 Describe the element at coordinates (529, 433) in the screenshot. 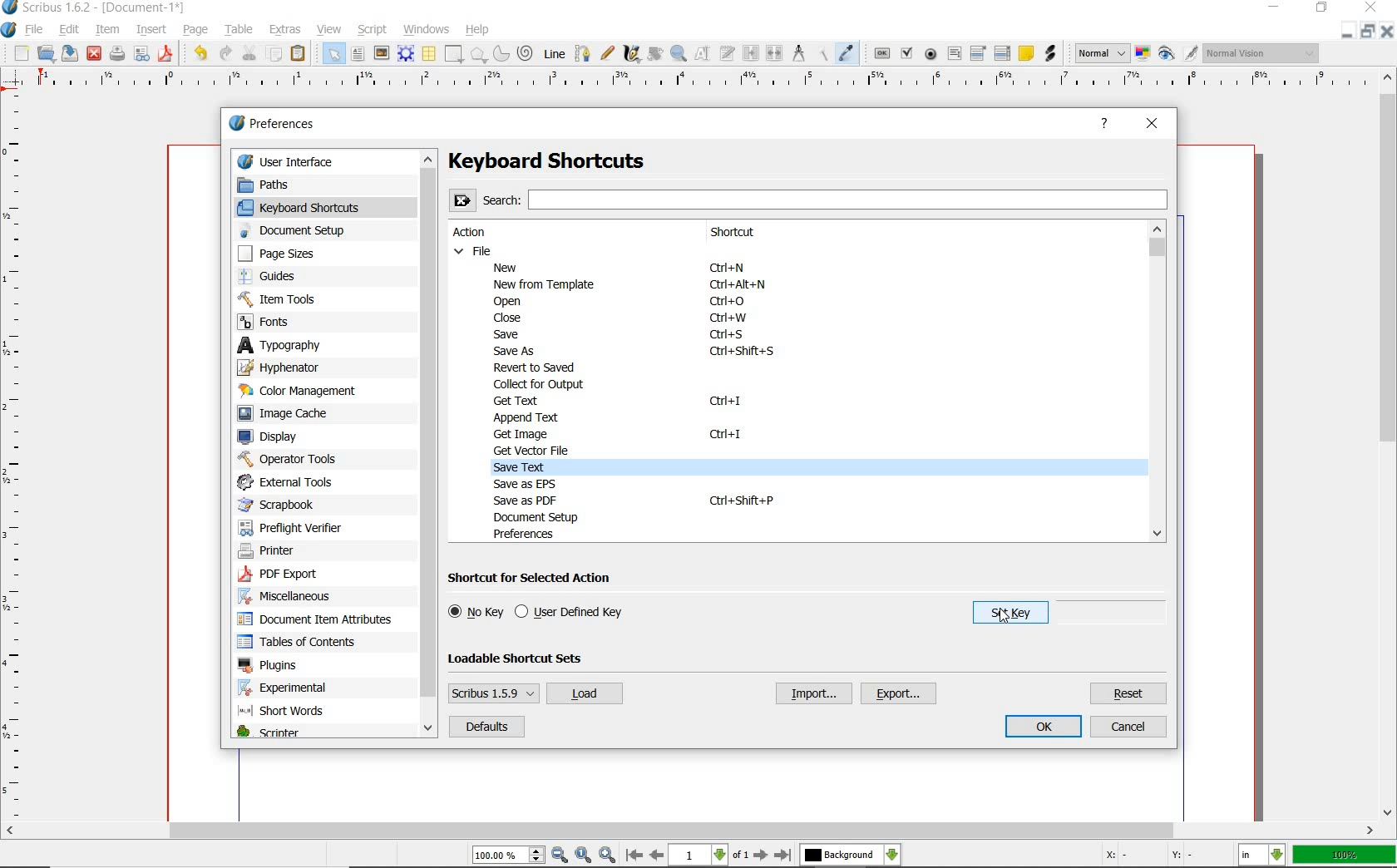

I see `Get image` at that location.